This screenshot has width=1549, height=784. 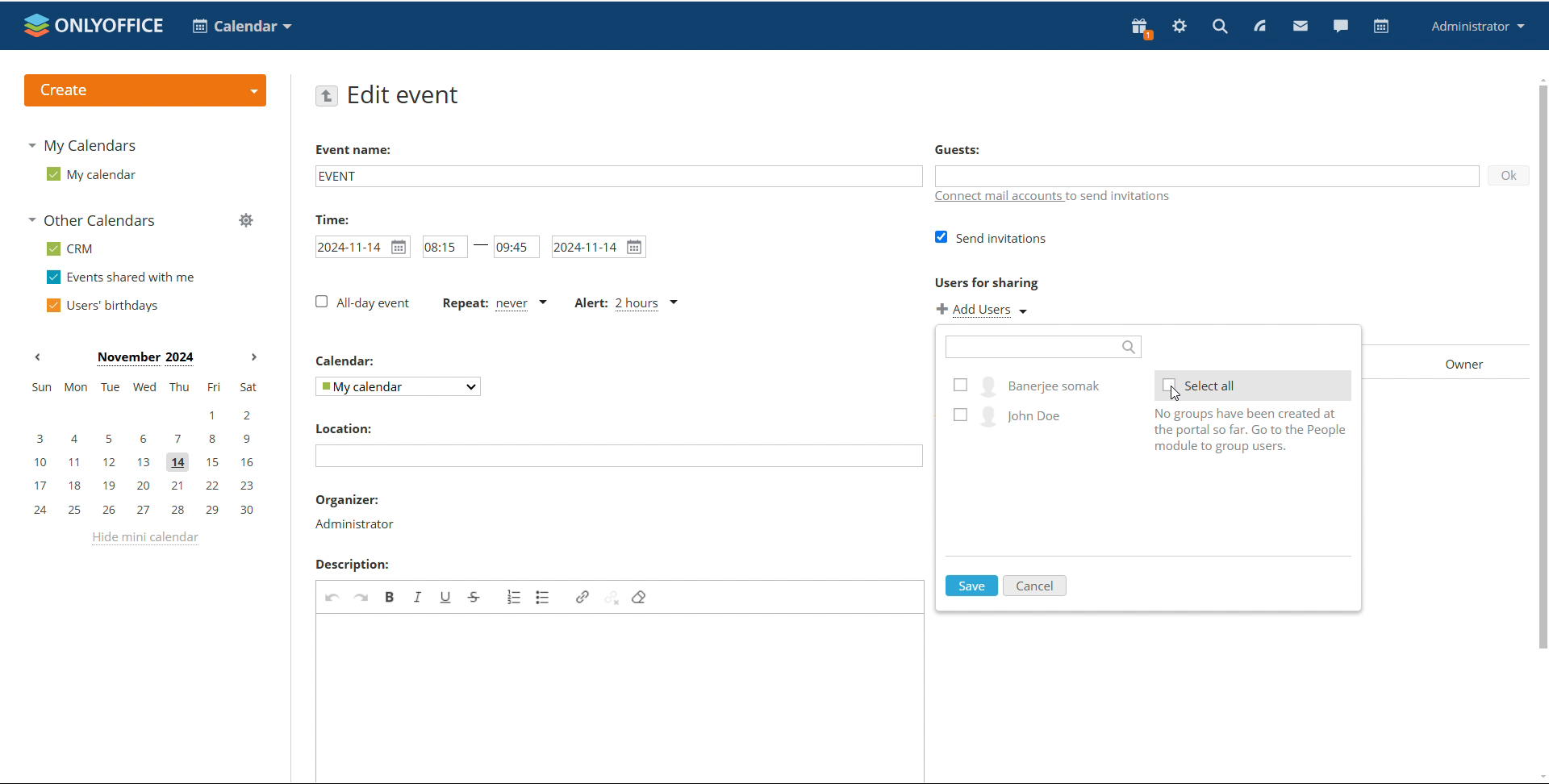 What do you see at coordinates (362, 246) in the screenshot?
I see `set start date` at bounding box center [362, 246].